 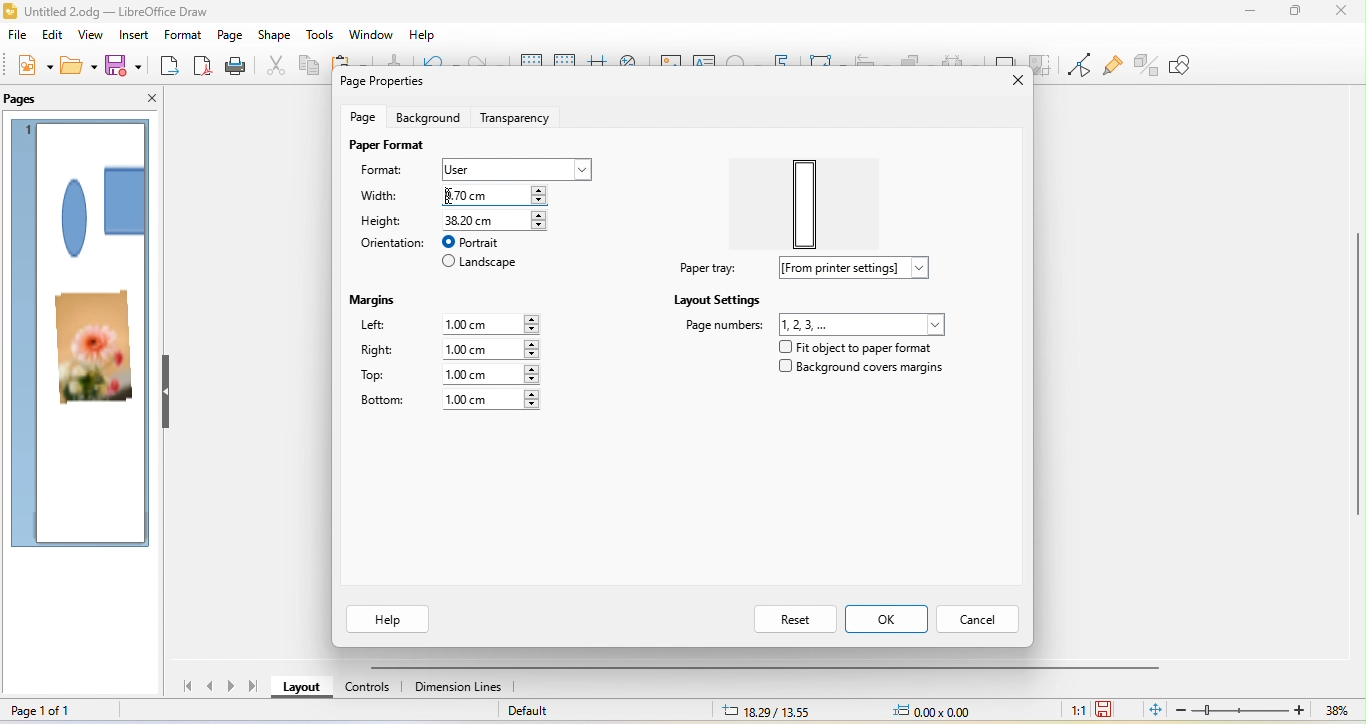 I want to click on last page, so click(x=255, y=688).